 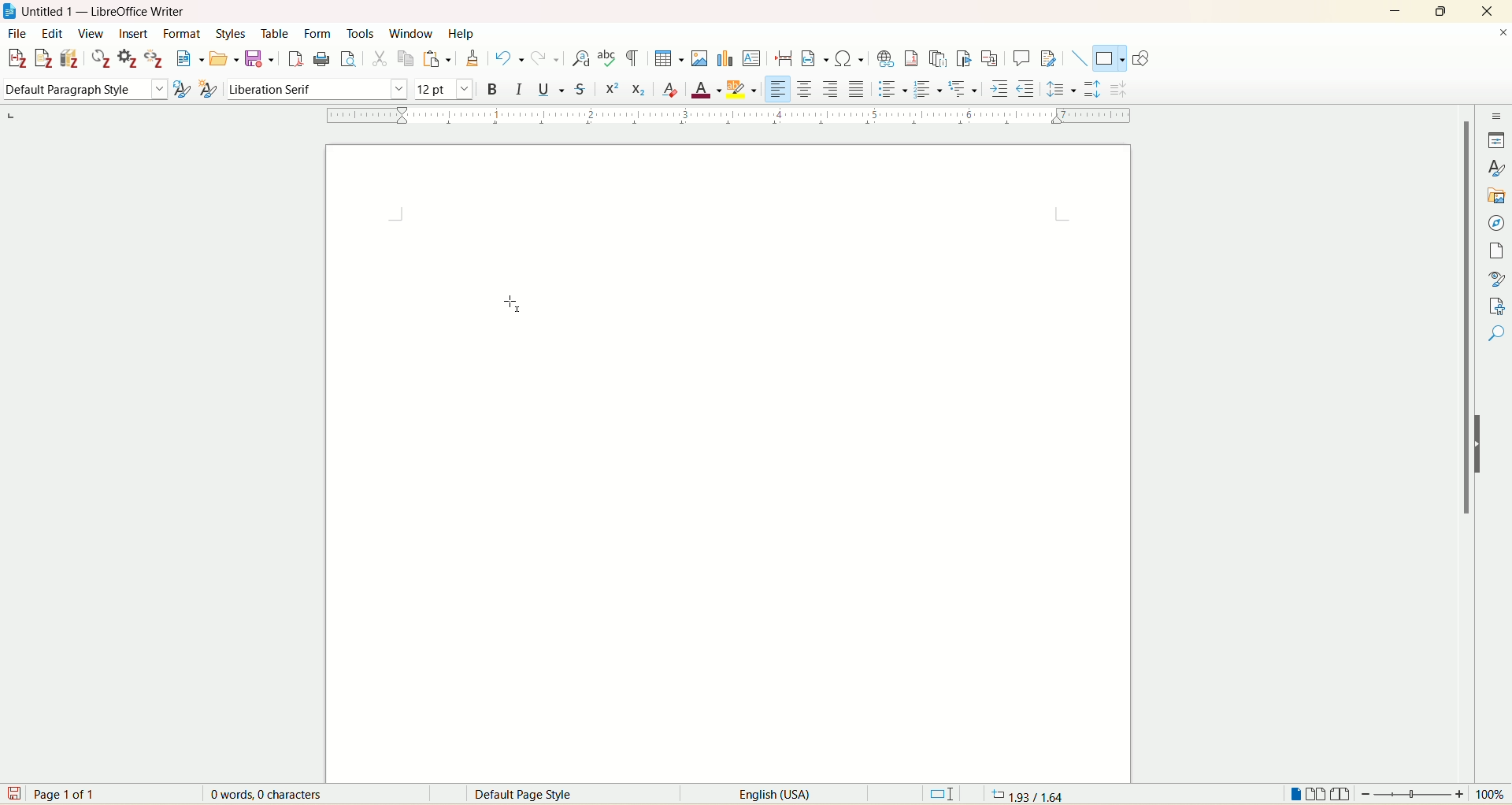 What do you see at coordinates (491, 87) in the screenshot?
I see `bold` at bounding box center [491, 87].